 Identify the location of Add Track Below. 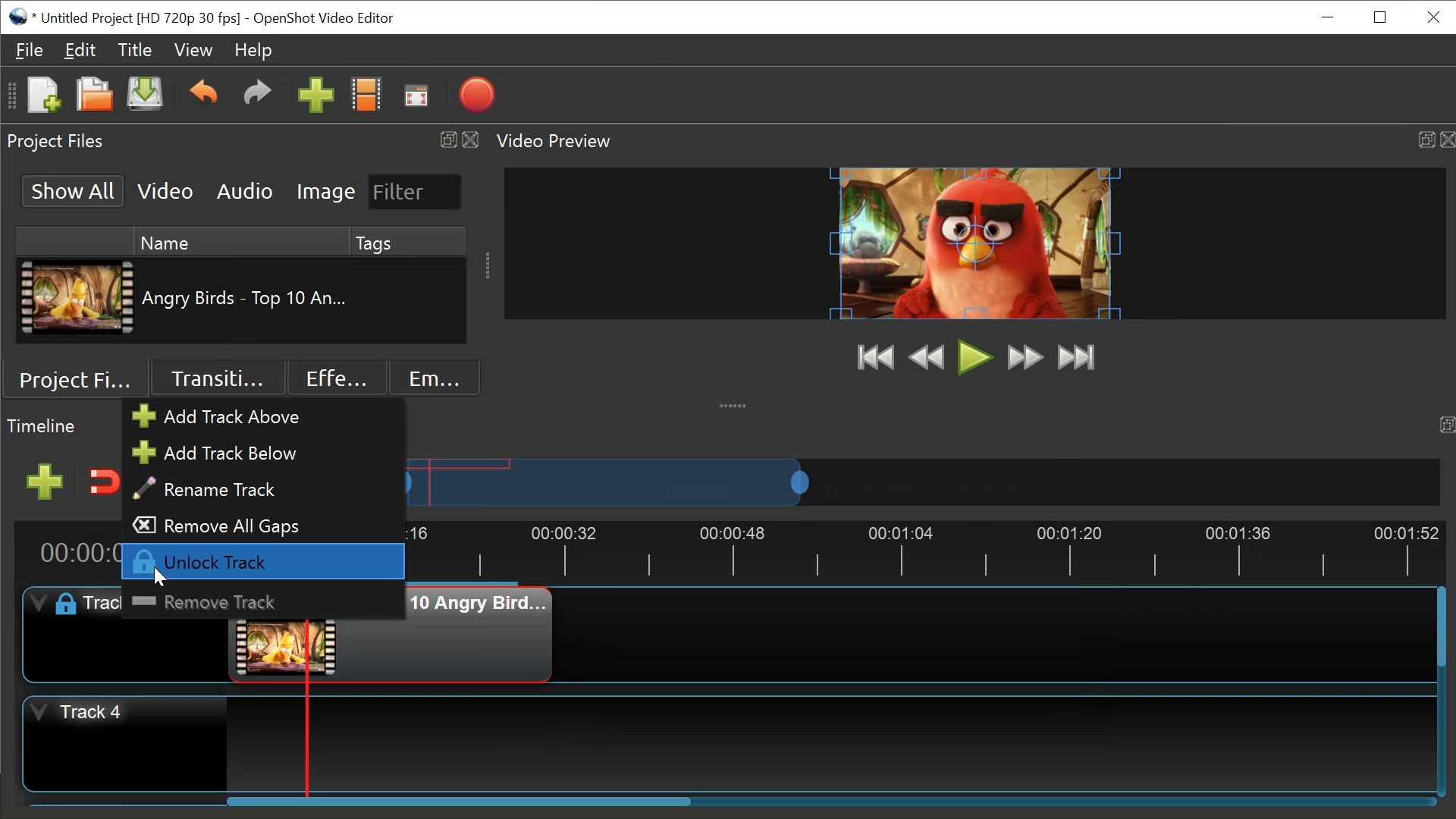
(222, 453).